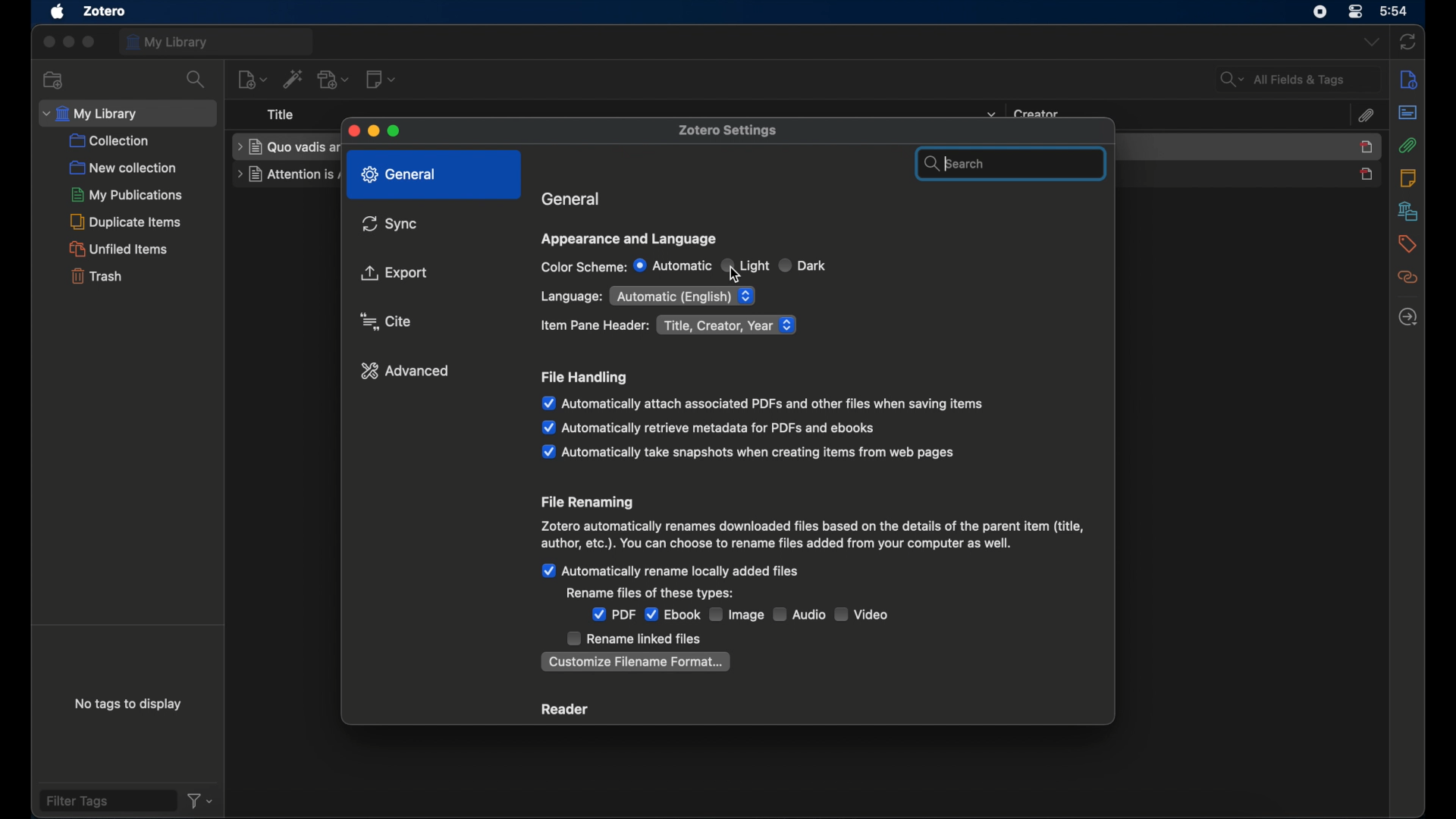 Image resolution: width=1456 pixels, height=819 pixels. What do you see at coordinates (570, 297) in the screenshot?
I see `language` at bounding box center [570, 297].